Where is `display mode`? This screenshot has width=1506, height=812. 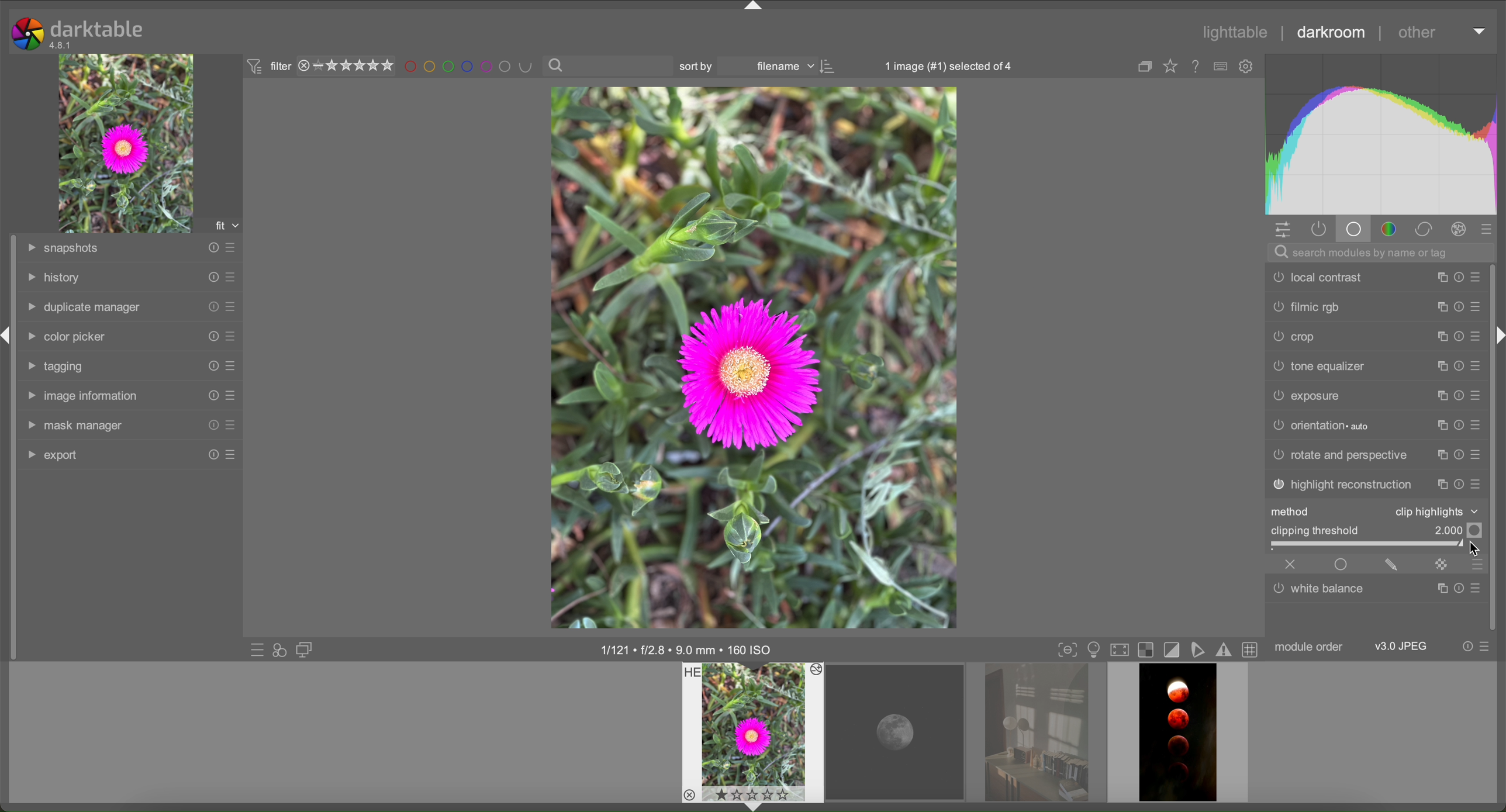
display mode is located at coordinates (1093, 650).